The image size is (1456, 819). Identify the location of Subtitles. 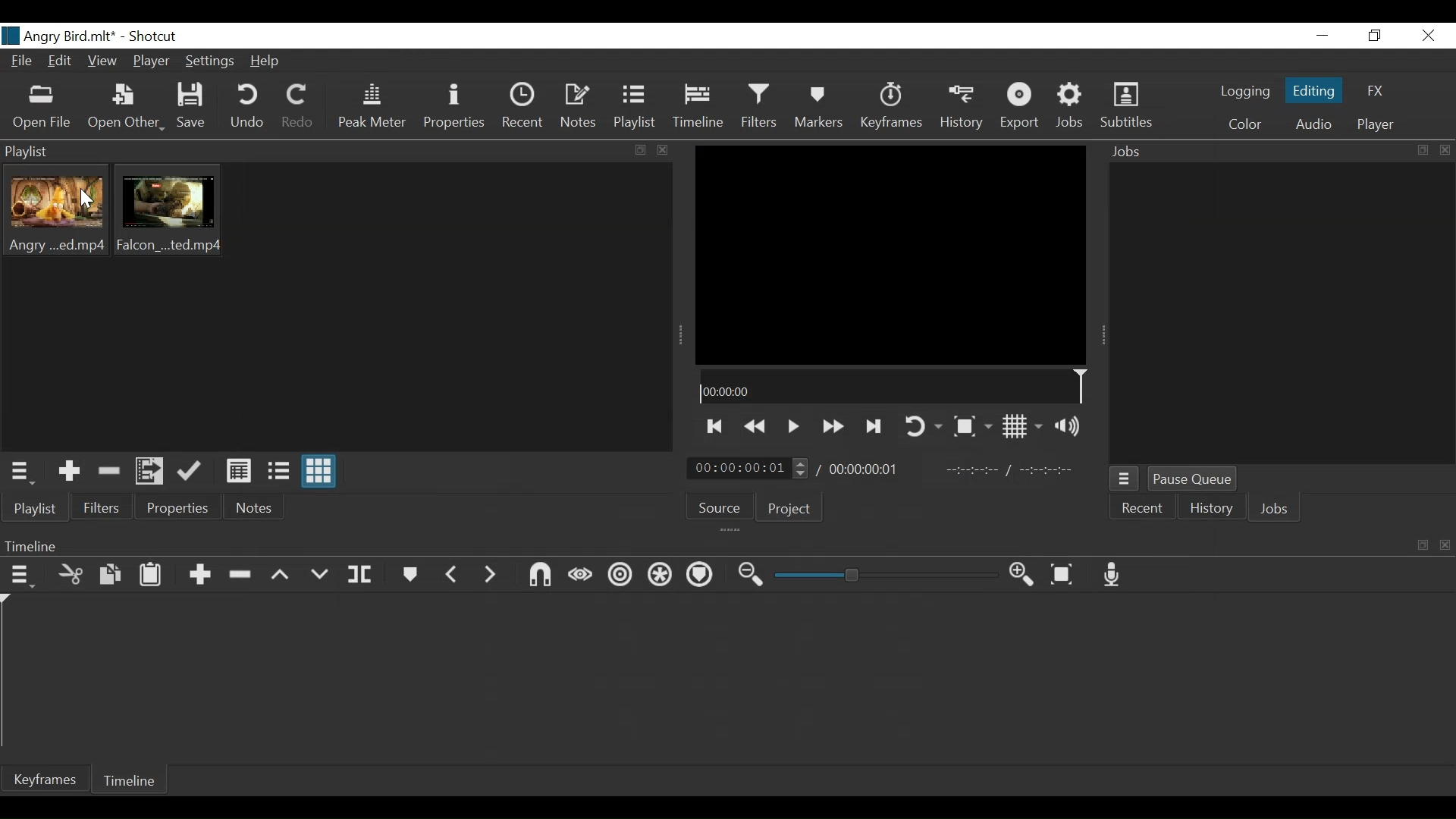
(1128, 107).